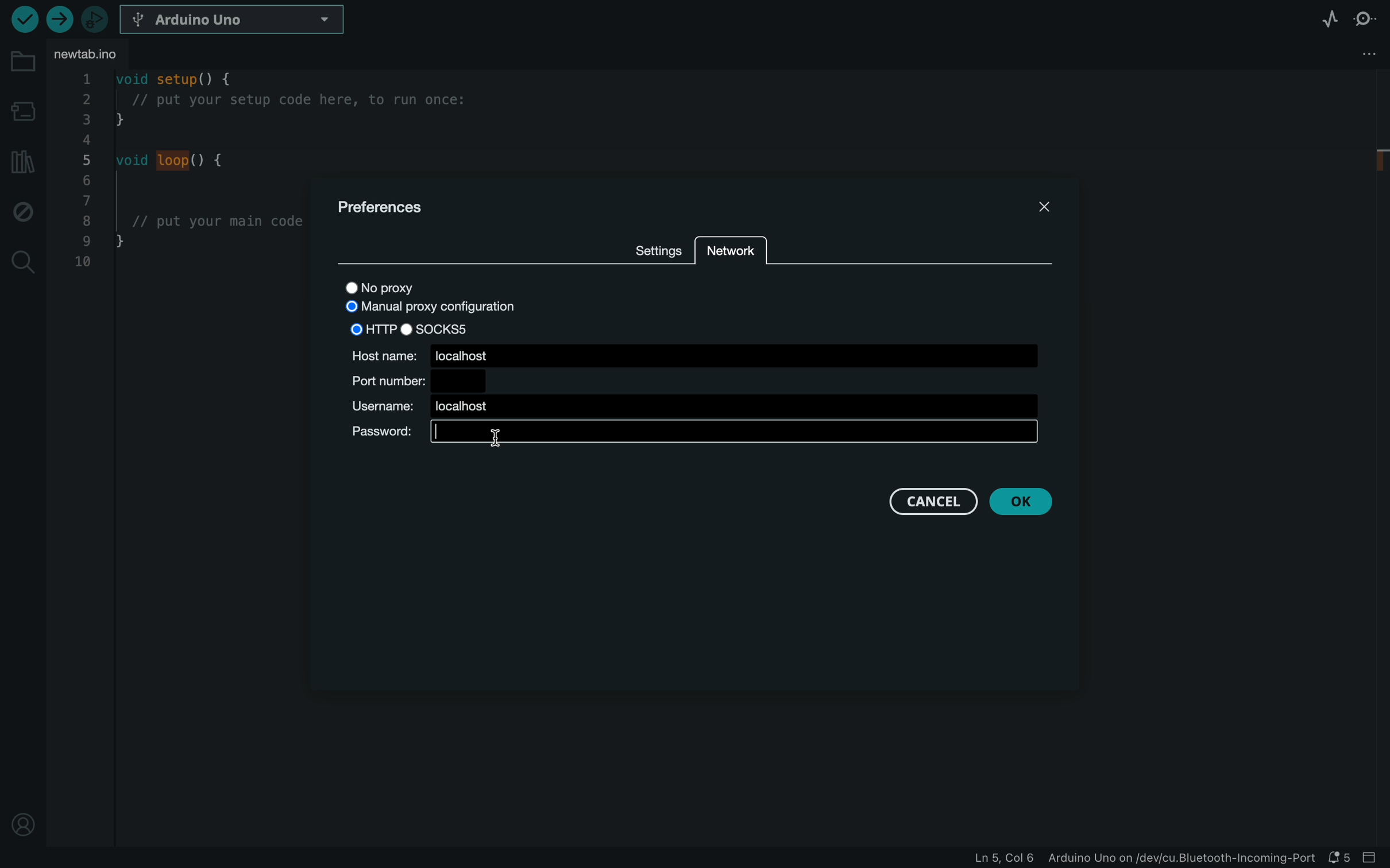 This screenshot has width=1390, height=868. I want to click on profile, so click(23, 826).